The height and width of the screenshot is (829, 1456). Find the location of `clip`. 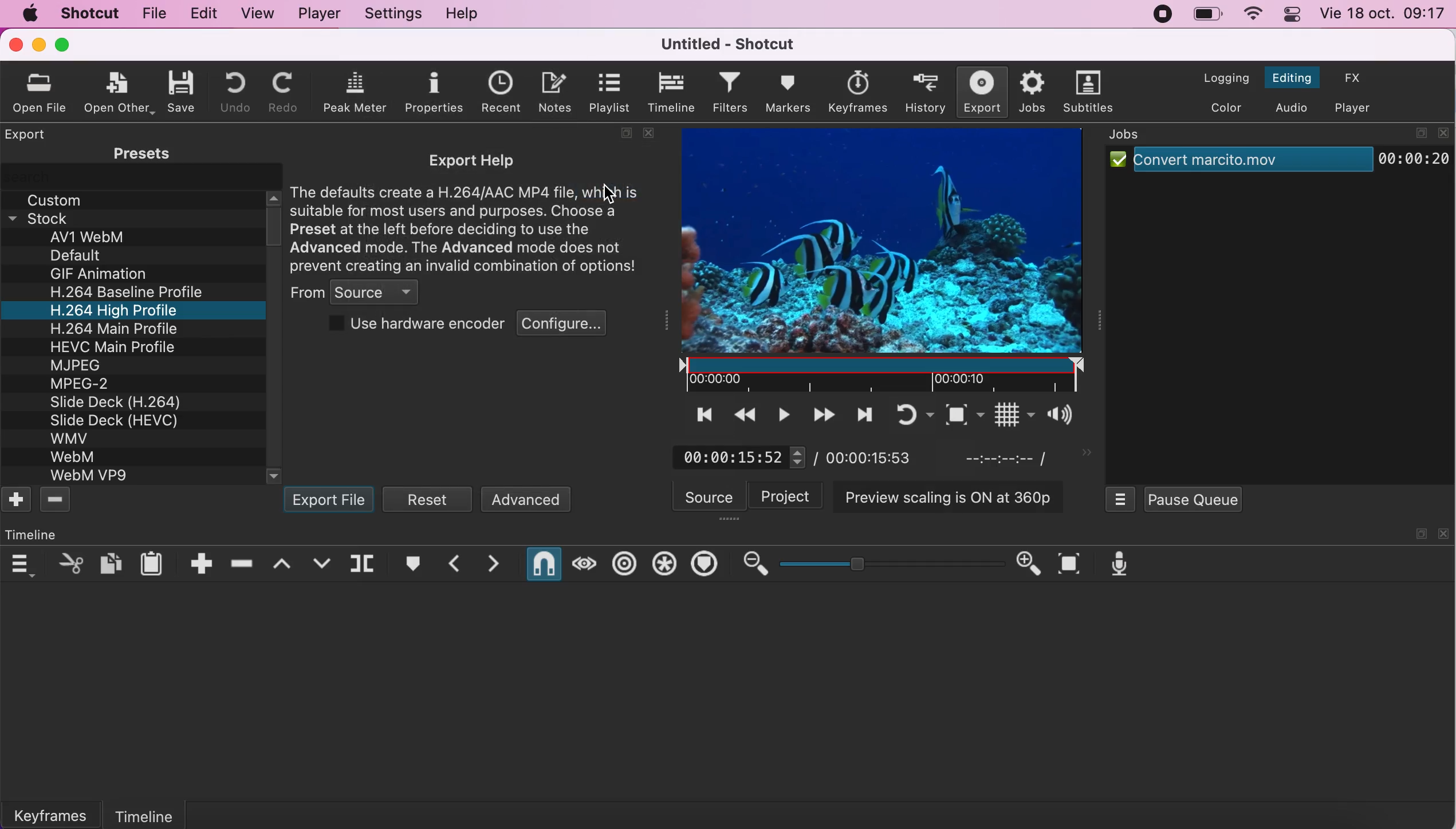

clip is located at coordinates (886, 259).